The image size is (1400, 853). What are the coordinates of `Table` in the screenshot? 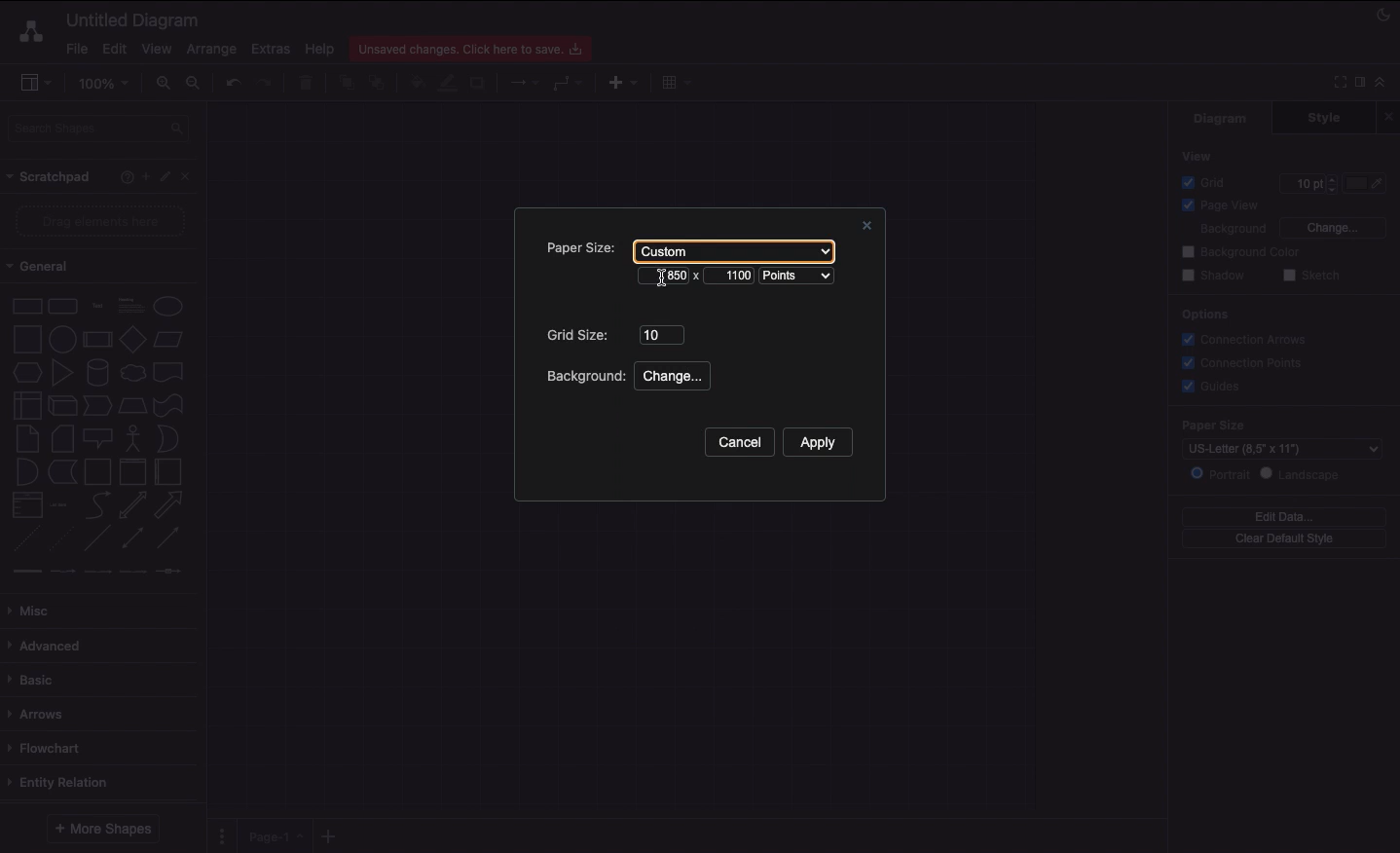 It's located at (674, 81).